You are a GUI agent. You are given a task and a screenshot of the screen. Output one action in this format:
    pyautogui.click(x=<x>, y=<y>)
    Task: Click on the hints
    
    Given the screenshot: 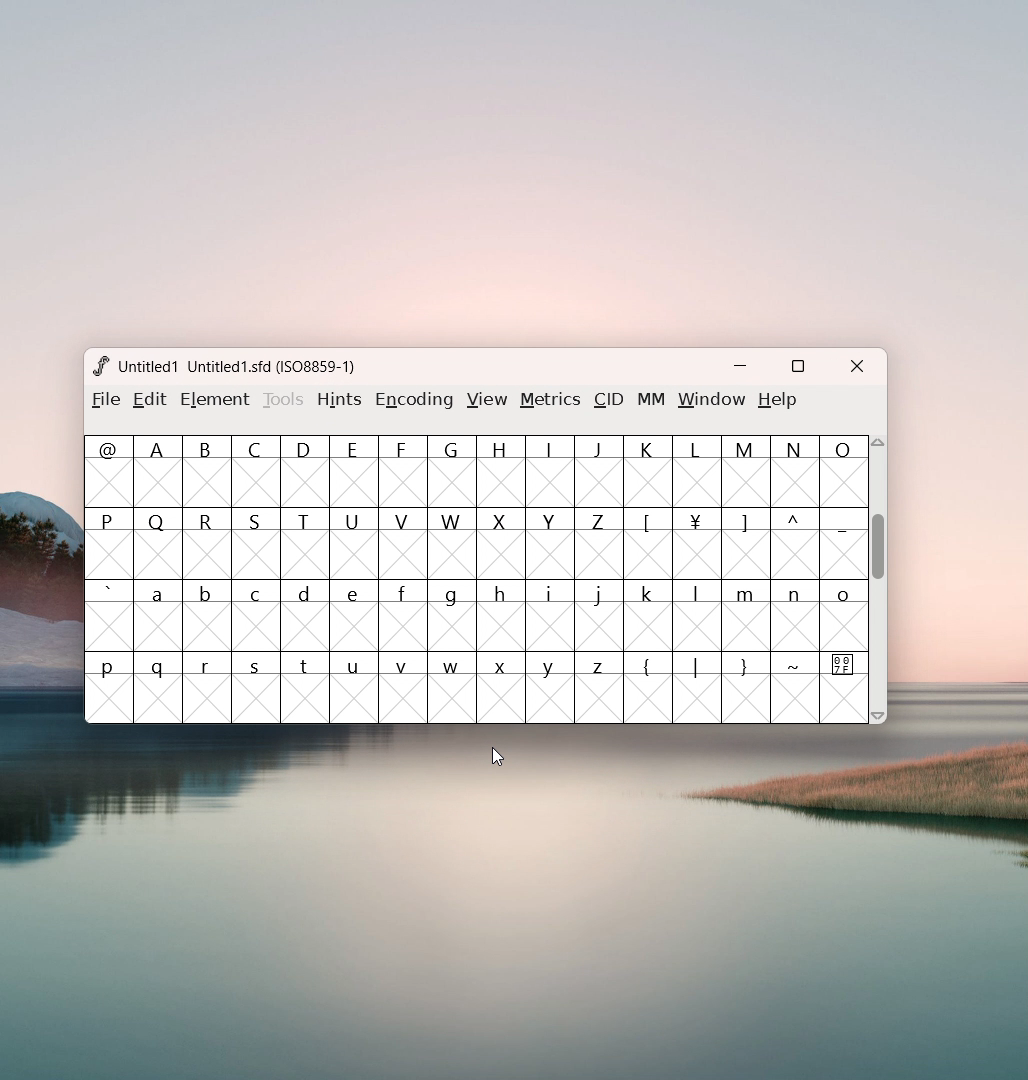 What is the action you would take?
    pyautogui.click(x=340, y=400)
    